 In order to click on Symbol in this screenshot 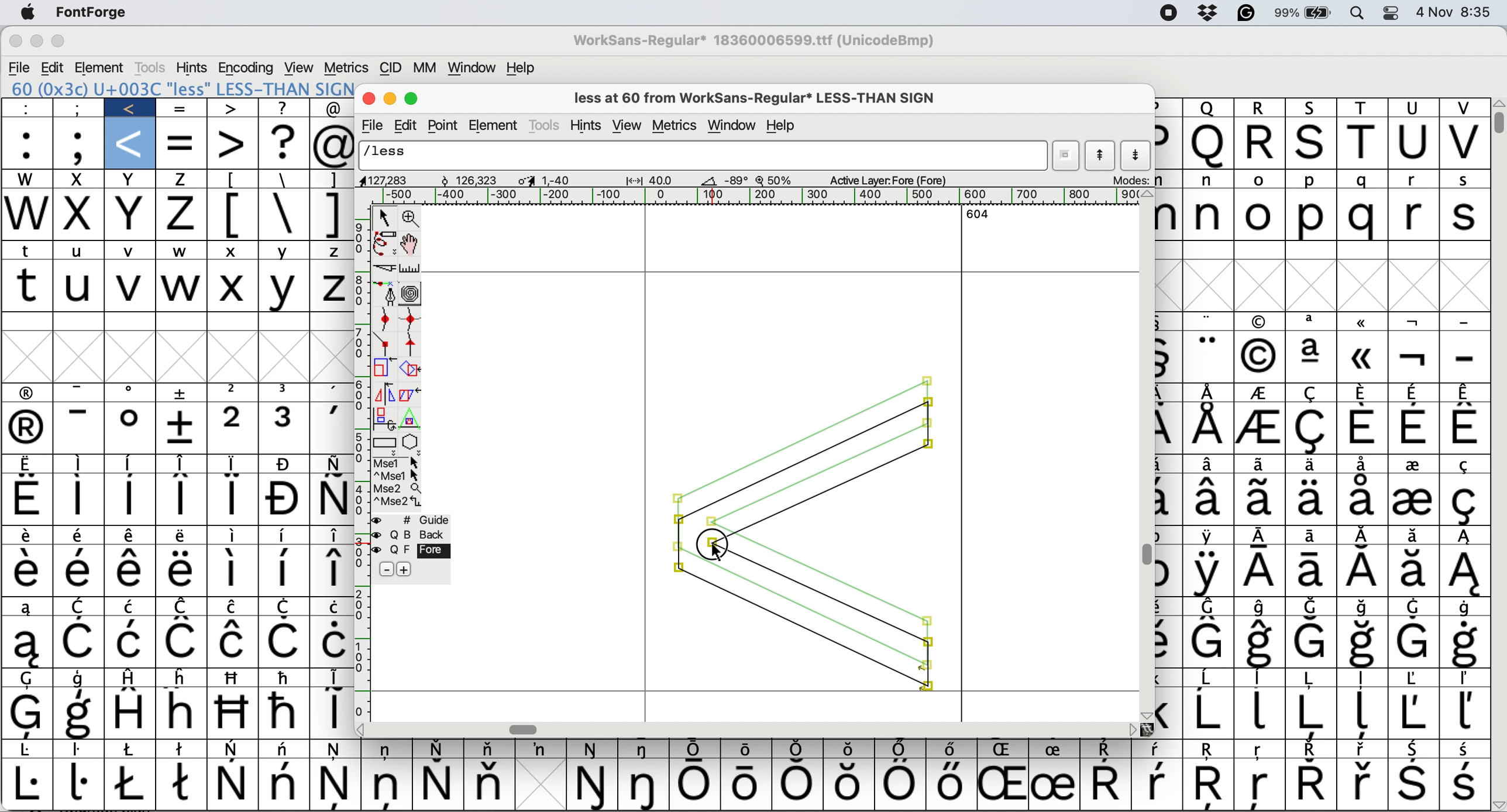, I will do `click(1262, 608)`.